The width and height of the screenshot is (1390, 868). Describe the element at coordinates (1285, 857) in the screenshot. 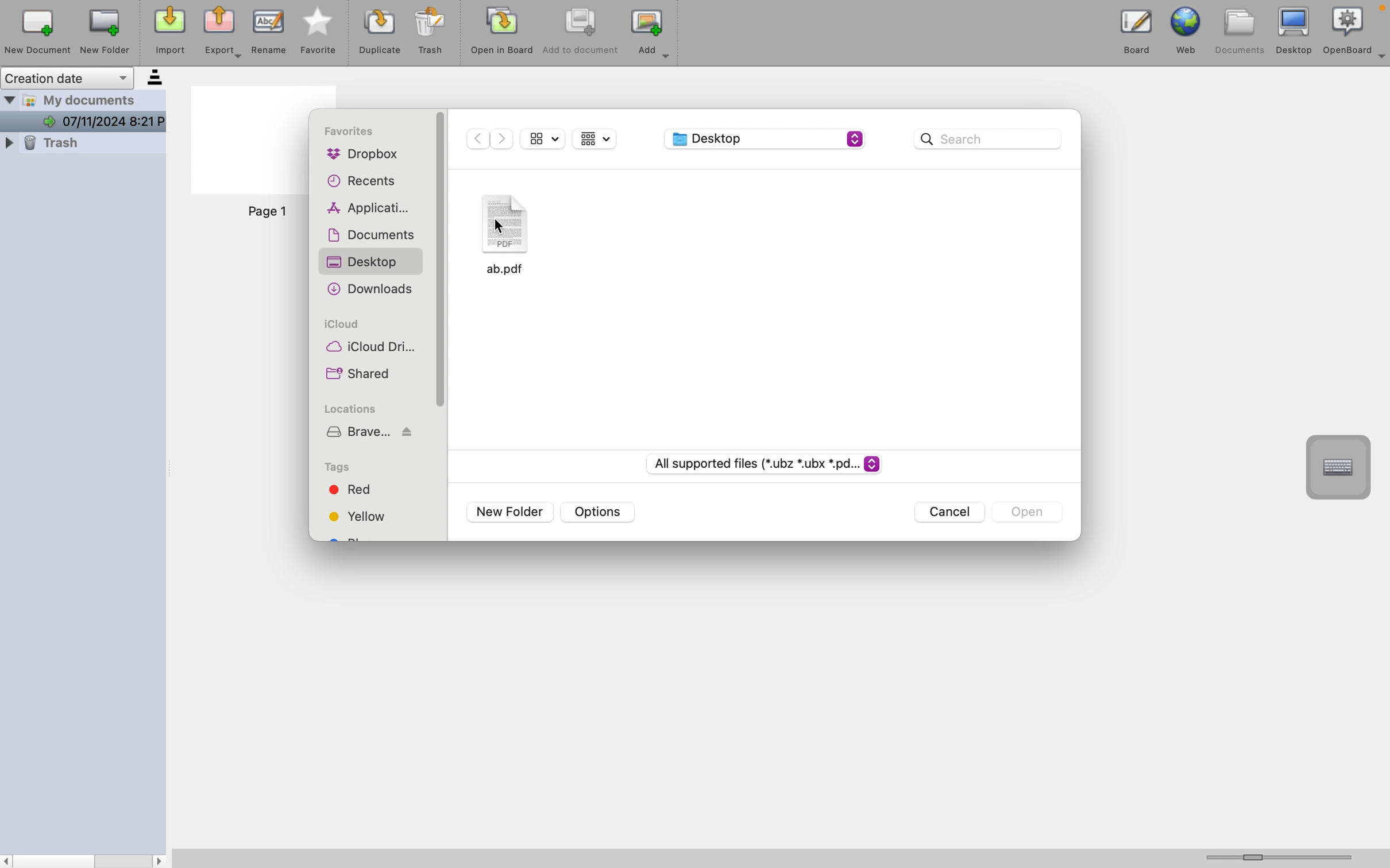

I see `horizontal scroll` at that location.